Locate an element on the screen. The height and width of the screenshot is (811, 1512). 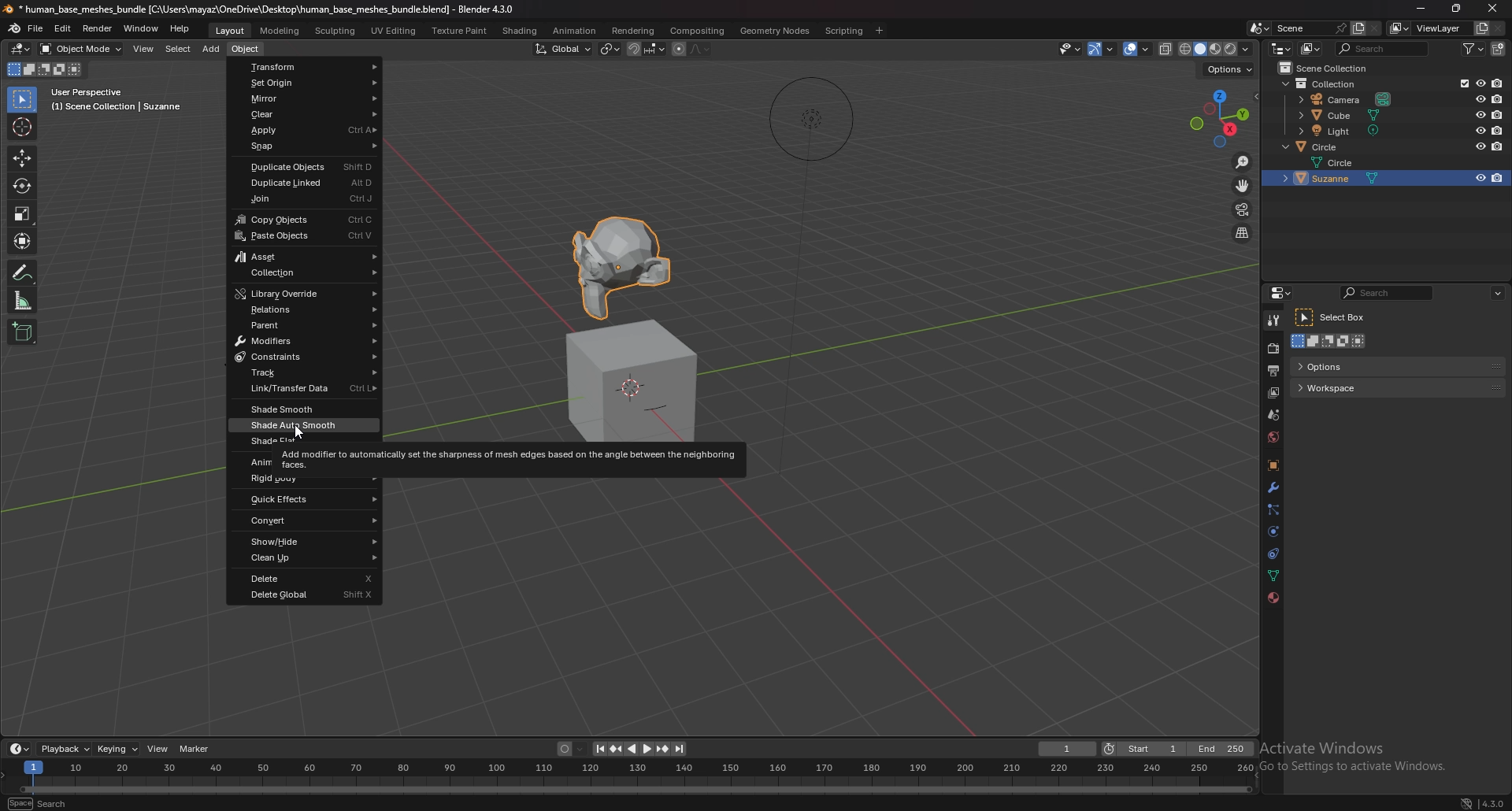
selector is located at coordinates (23, 99).